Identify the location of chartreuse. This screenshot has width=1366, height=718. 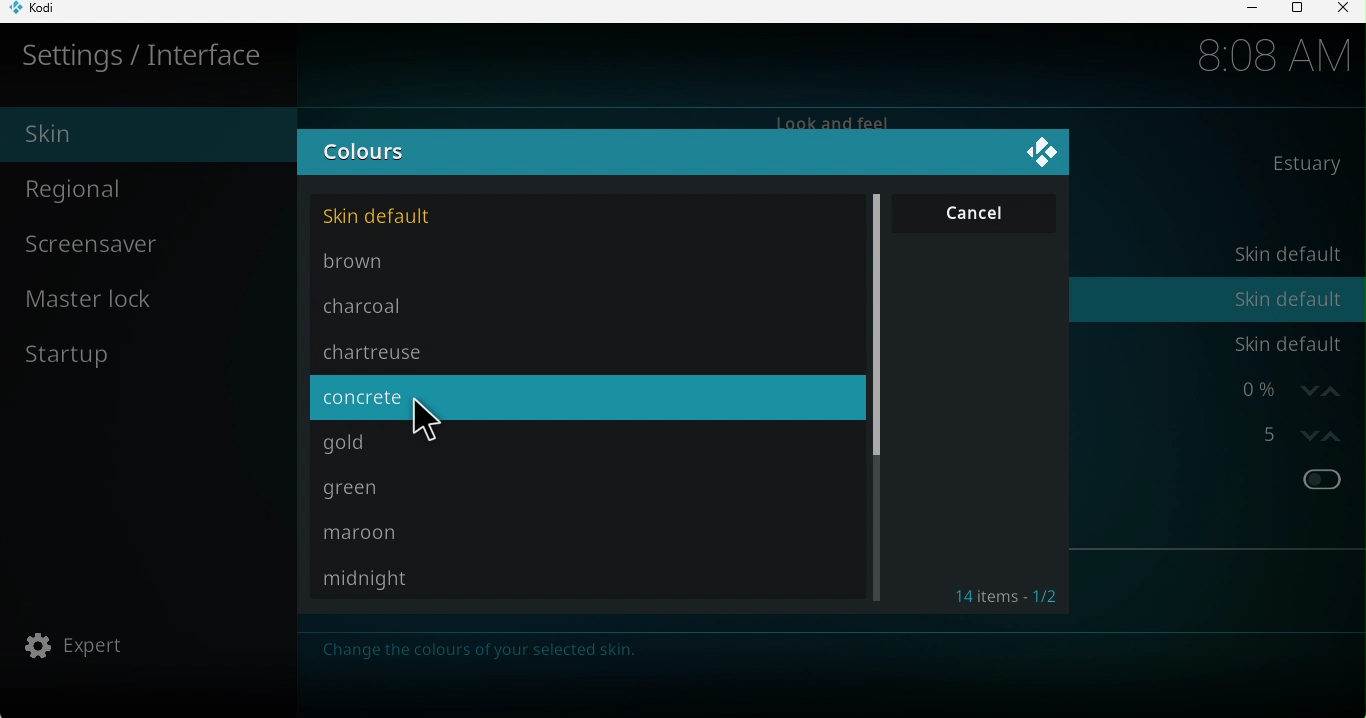
(588, 351).